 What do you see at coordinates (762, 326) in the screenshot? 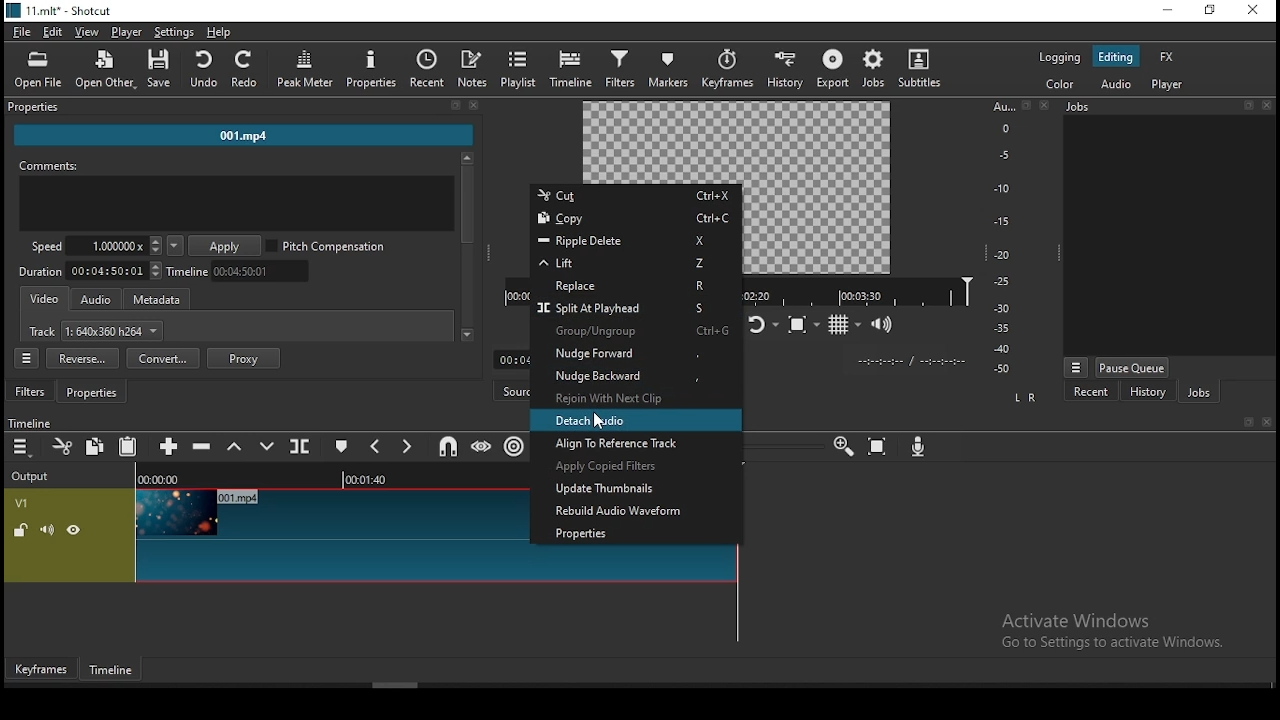
I see `toggle player after looping` at bounding box center [762, 326].